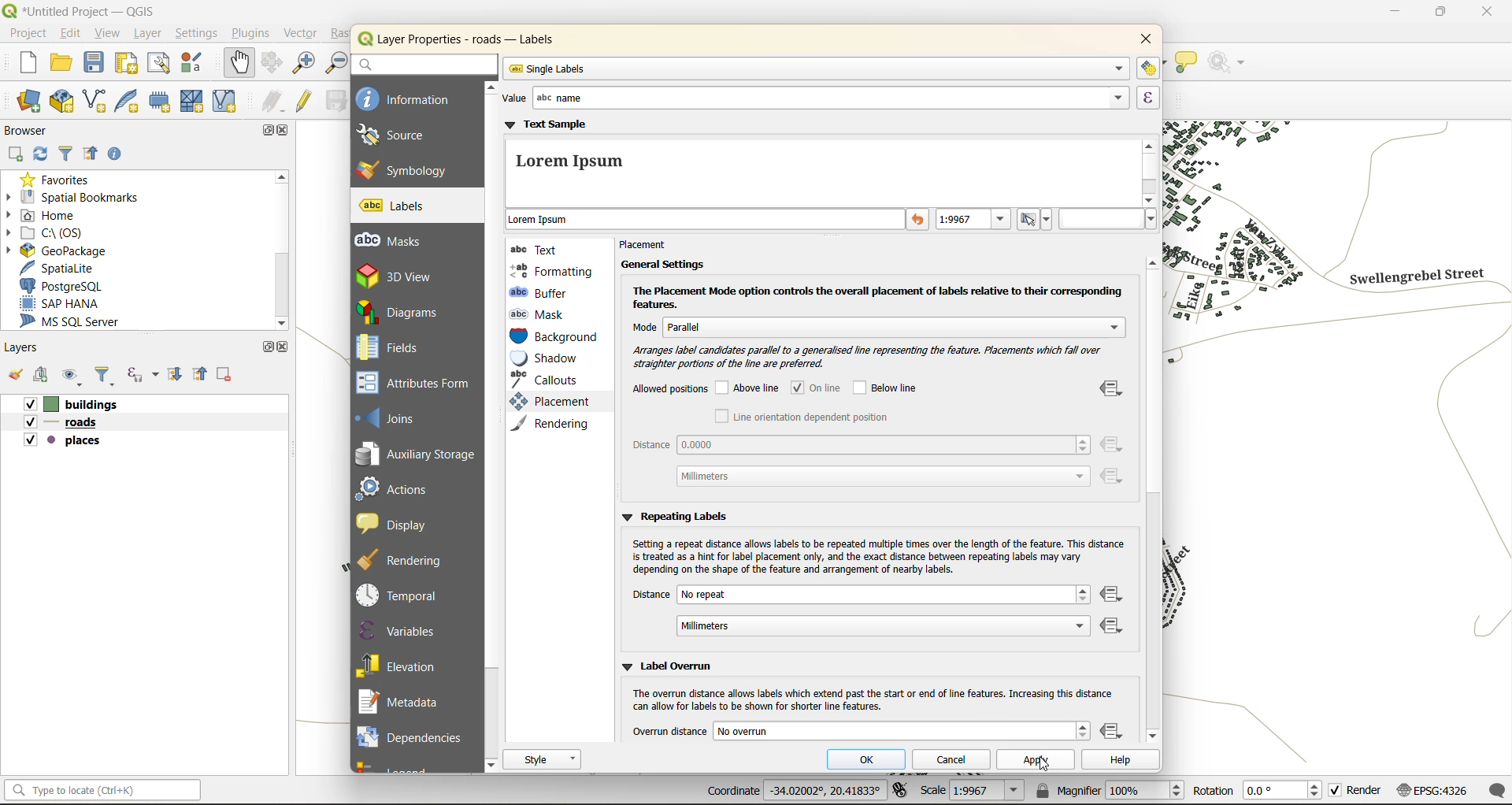 This screenshot has height=805, width=1512. What do you see at coordinates (86, 199) in the screenshot?
I see `spatial bookmarks` at bounding box center [86, 199].